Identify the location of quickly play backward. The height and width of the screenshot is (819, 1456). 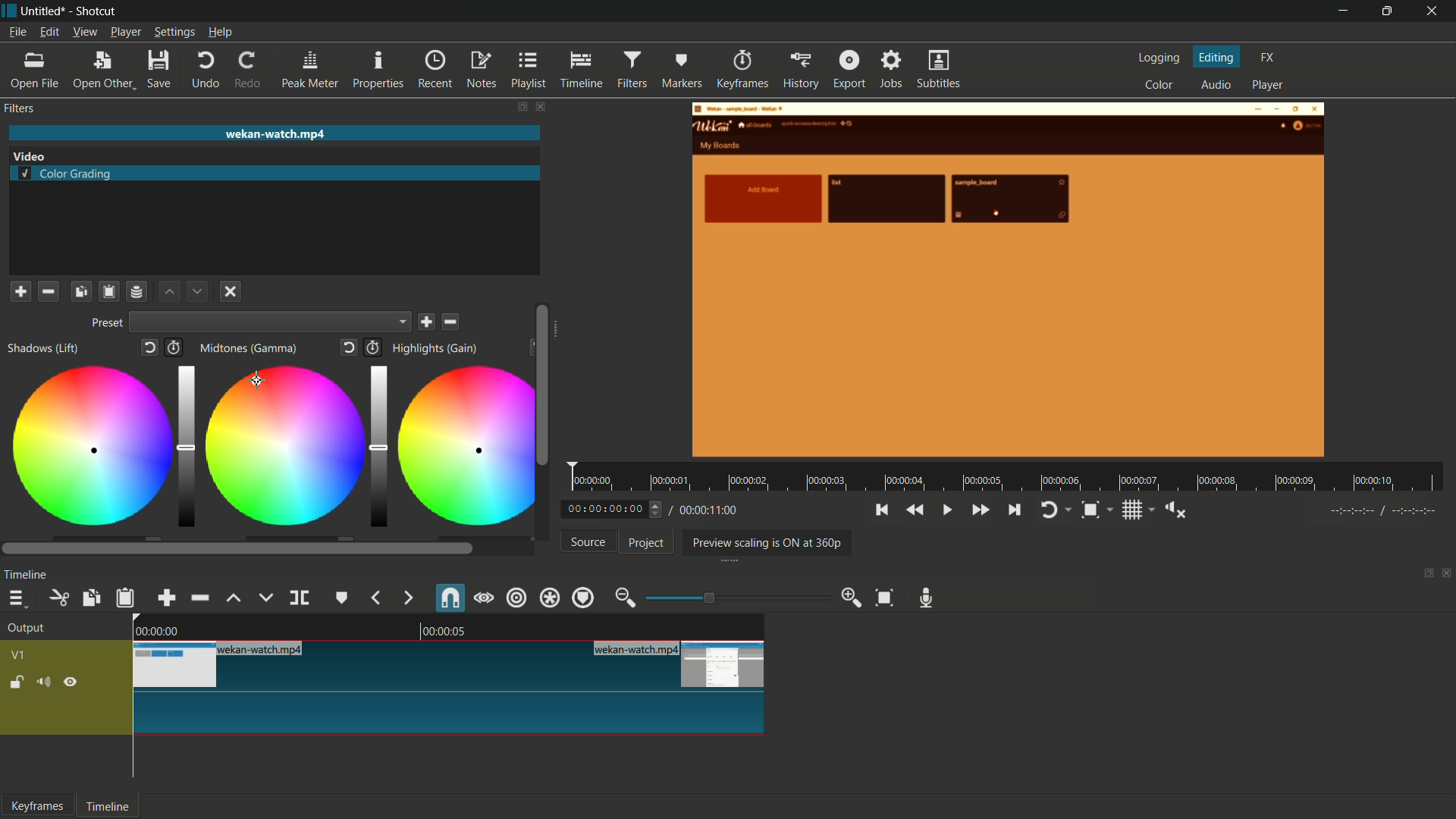
(914, 510).